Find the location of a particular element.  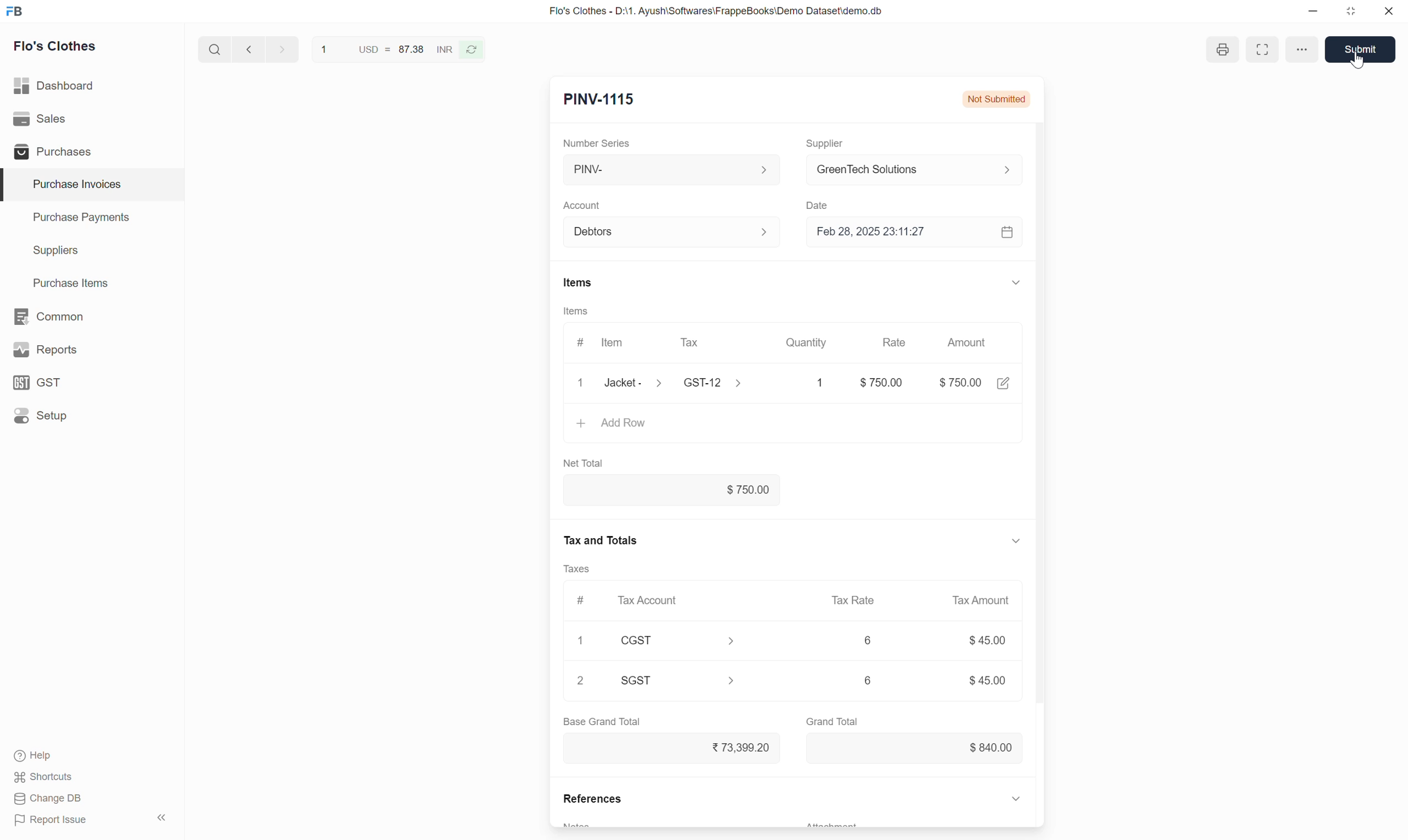

# Item is located at coordinates (604, 344).